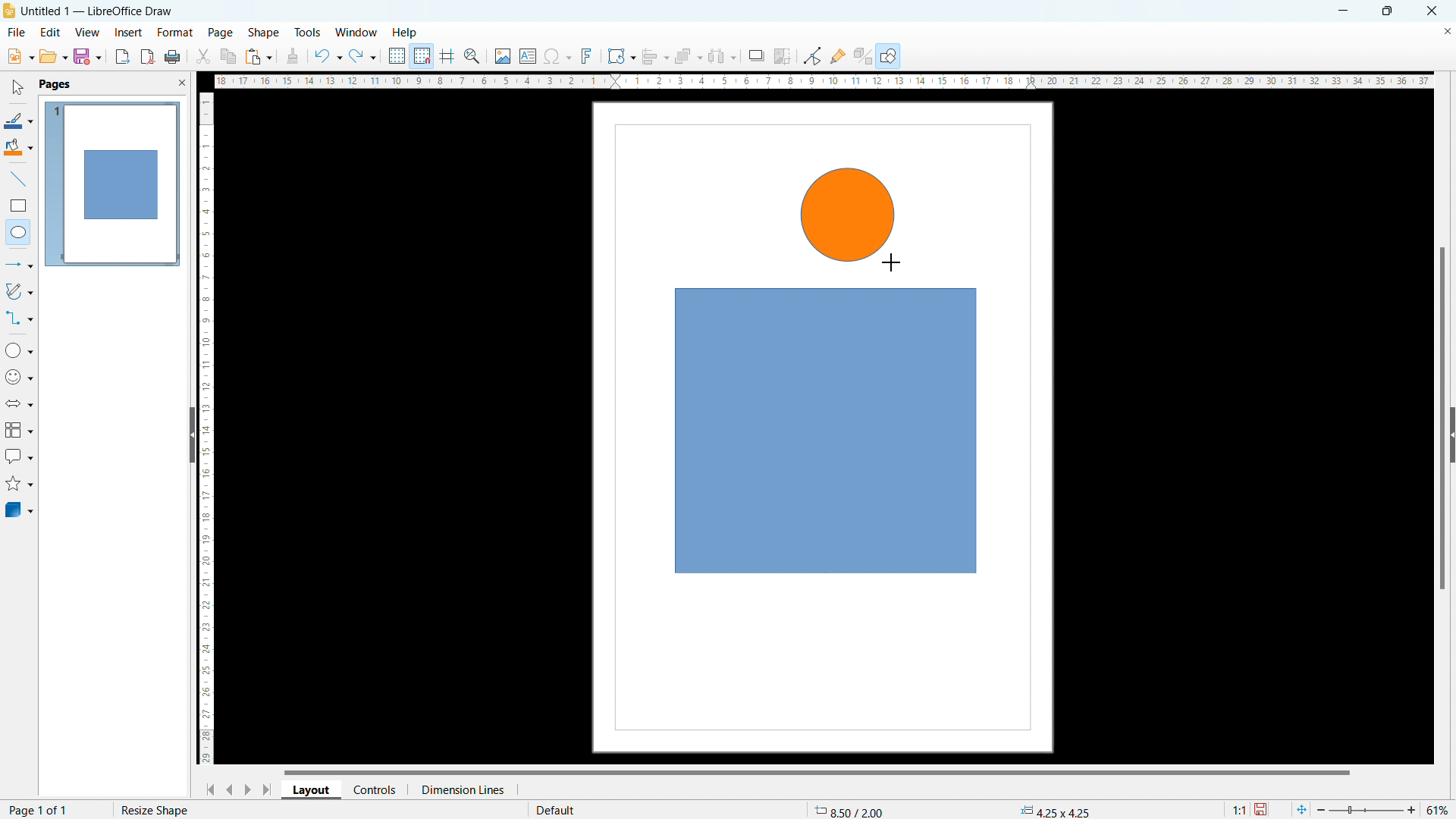  I want to click on callout shapes, so click(20, 457).